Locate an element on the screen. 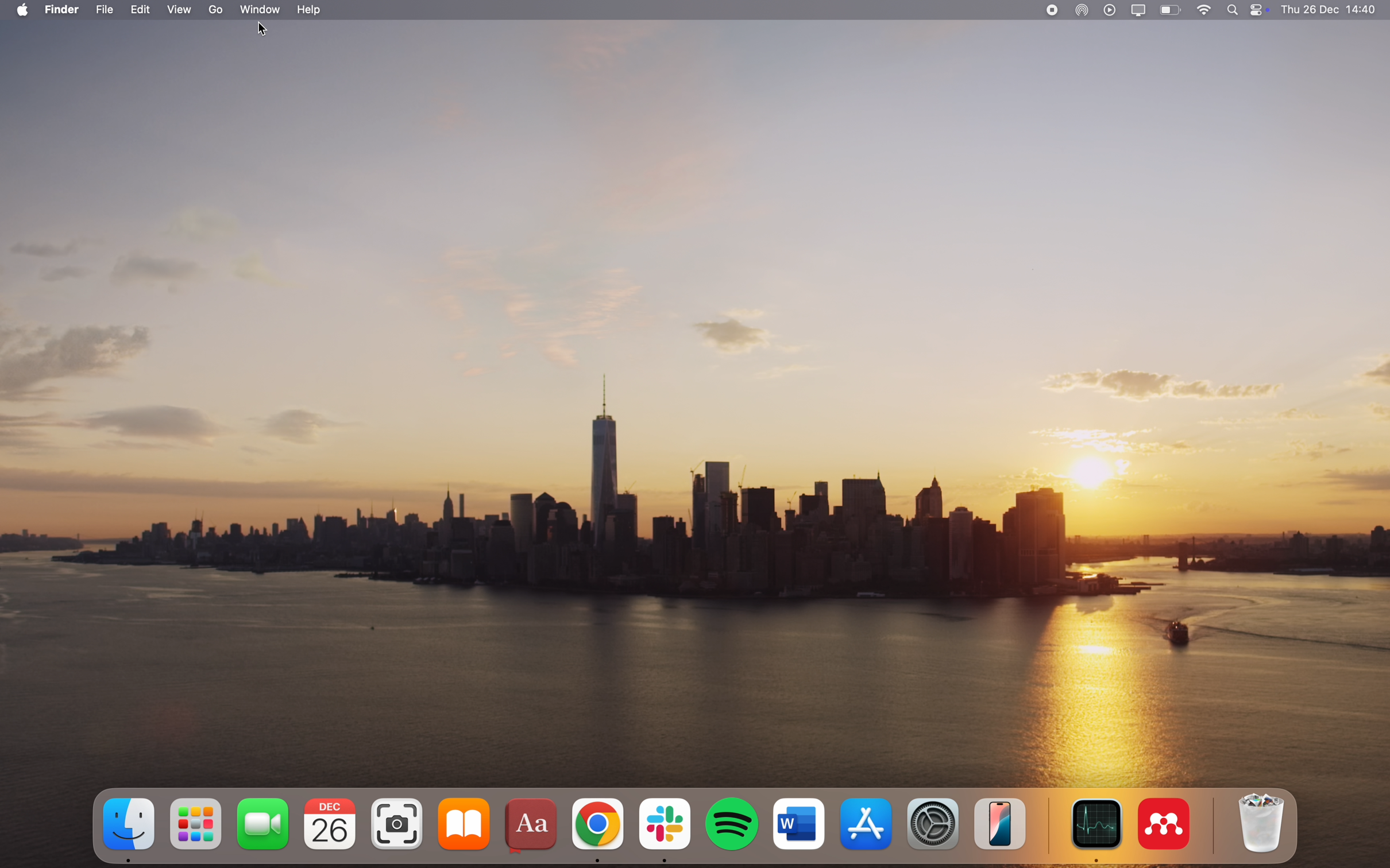  help is located at coordinates (308, 10).